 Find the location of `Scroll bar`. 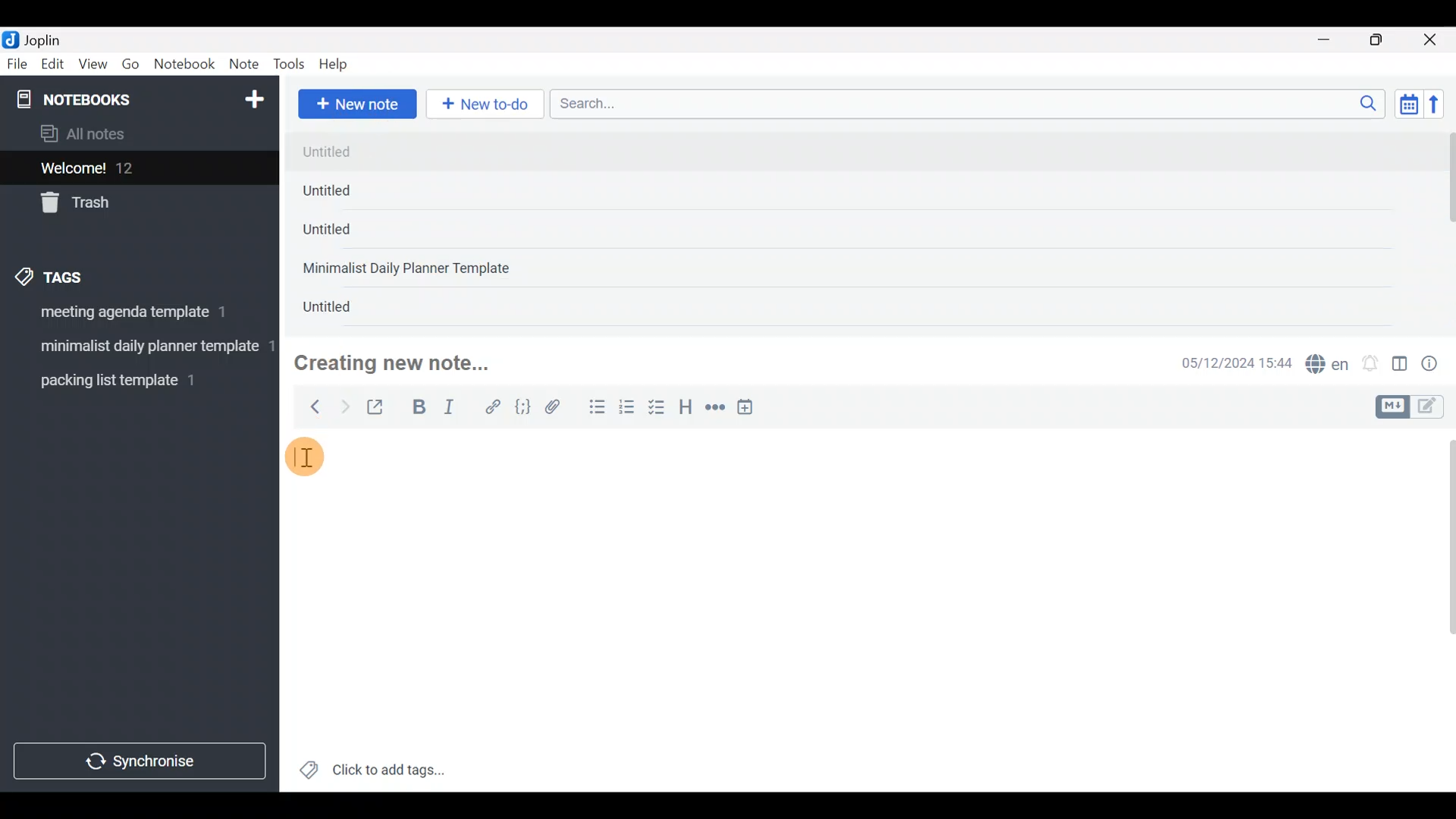

Scroll bar is located at coordinates (1447, 229).